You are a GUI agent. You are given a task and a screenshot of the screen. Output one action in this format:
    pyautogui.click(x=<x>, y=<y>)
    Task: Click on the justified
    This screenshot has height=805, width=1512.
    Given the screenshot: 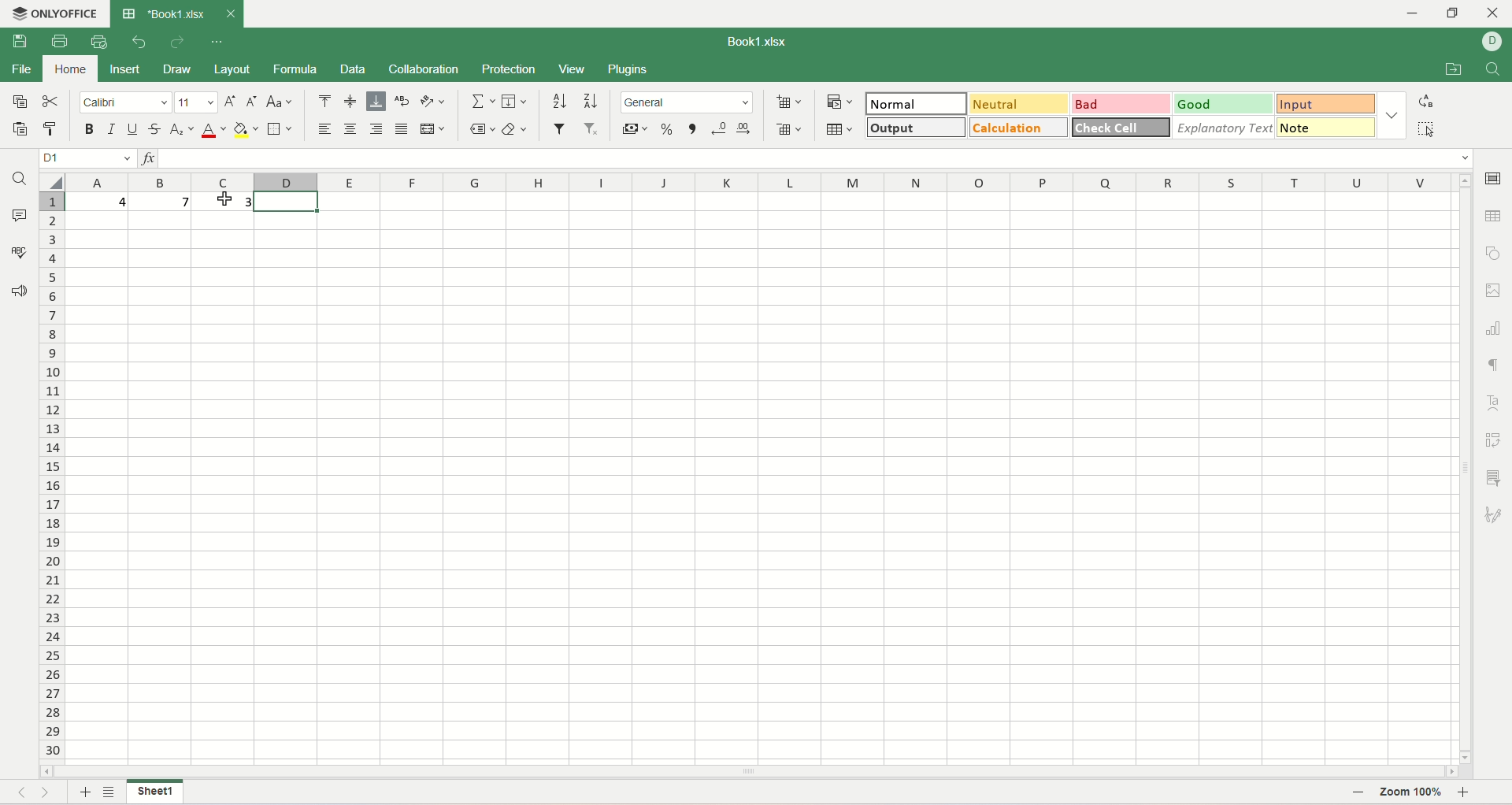 What is the action you would take?
    pyautogui.click(x=402, y=129)
    